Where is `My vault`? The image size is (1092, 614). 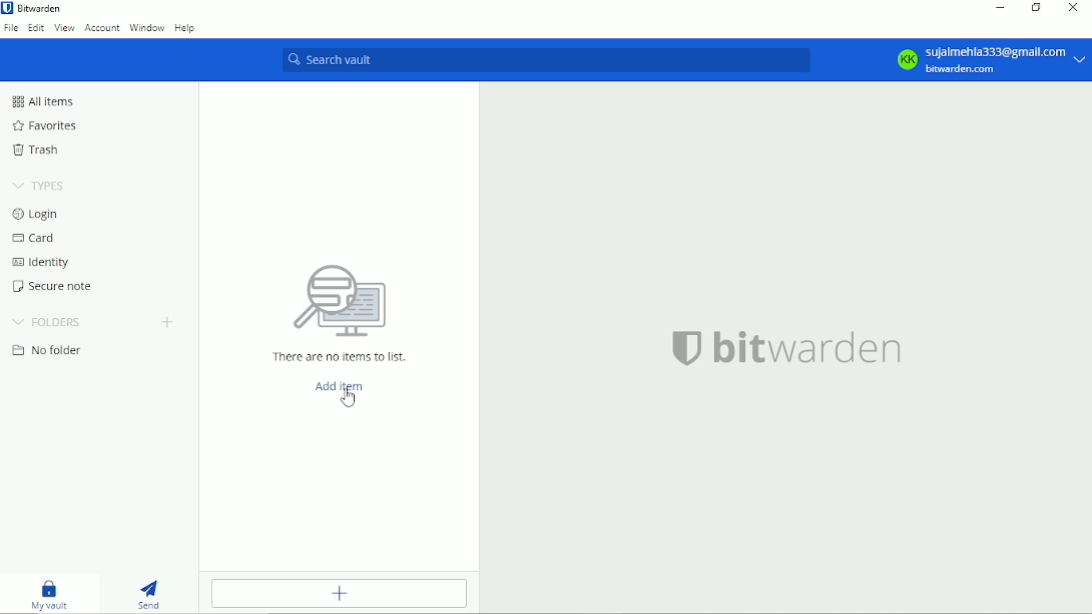
My vault is located at coordinates (48, 595).